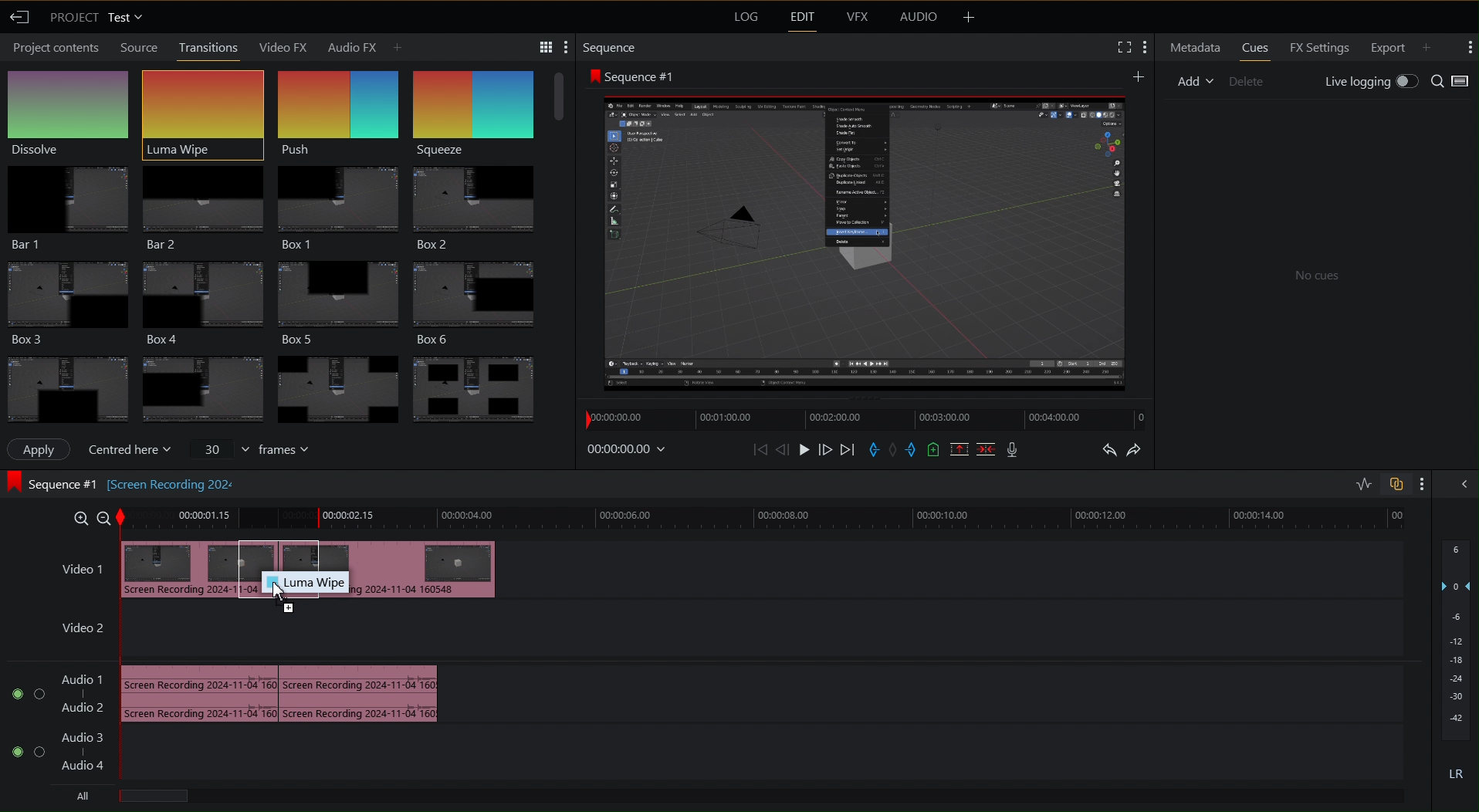  I want to click on No cues, so click(1314, 273).